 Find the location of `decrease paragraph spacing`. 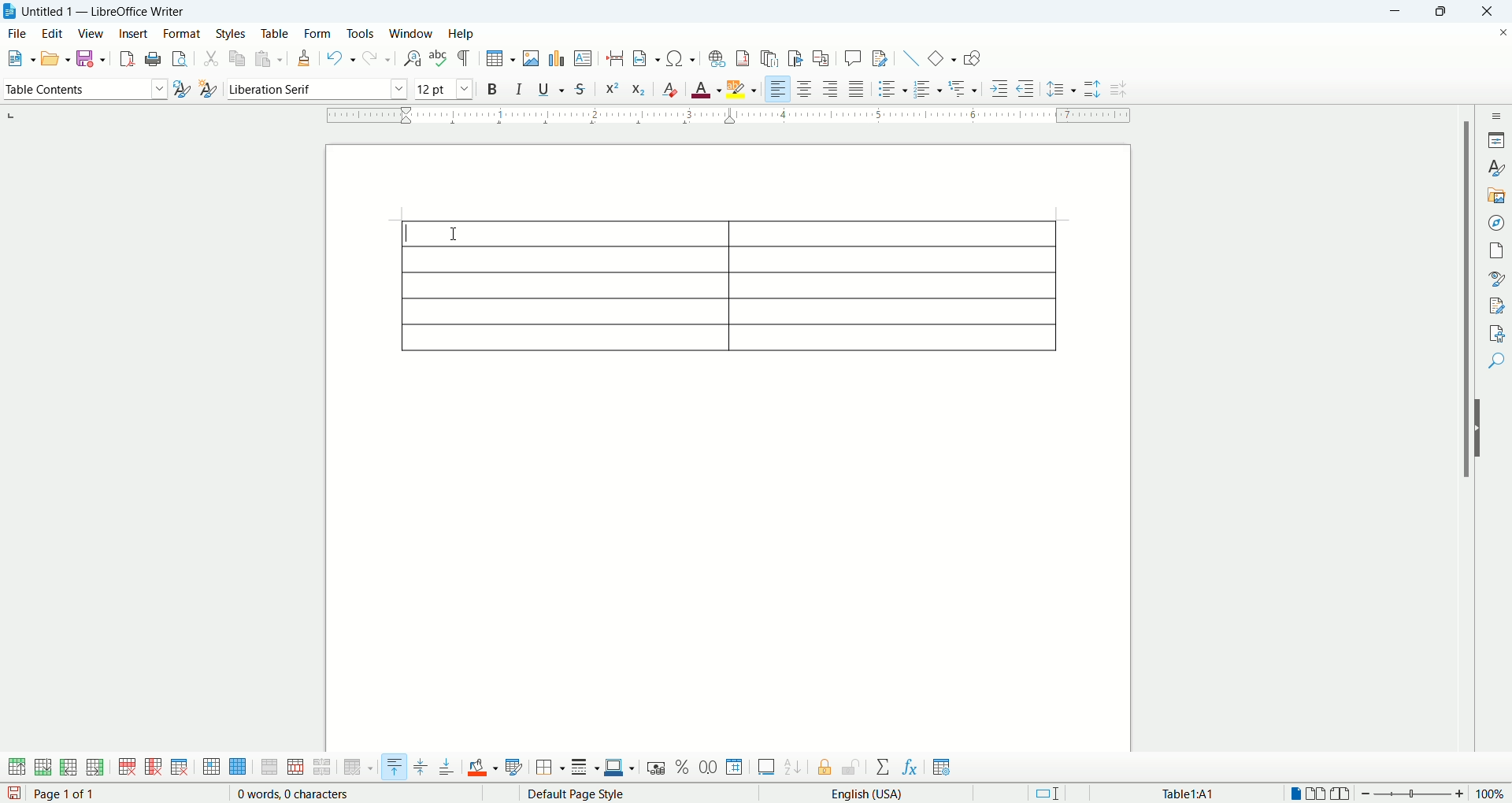

decrease paragraph spacing is located at coordinates (1121, 90).